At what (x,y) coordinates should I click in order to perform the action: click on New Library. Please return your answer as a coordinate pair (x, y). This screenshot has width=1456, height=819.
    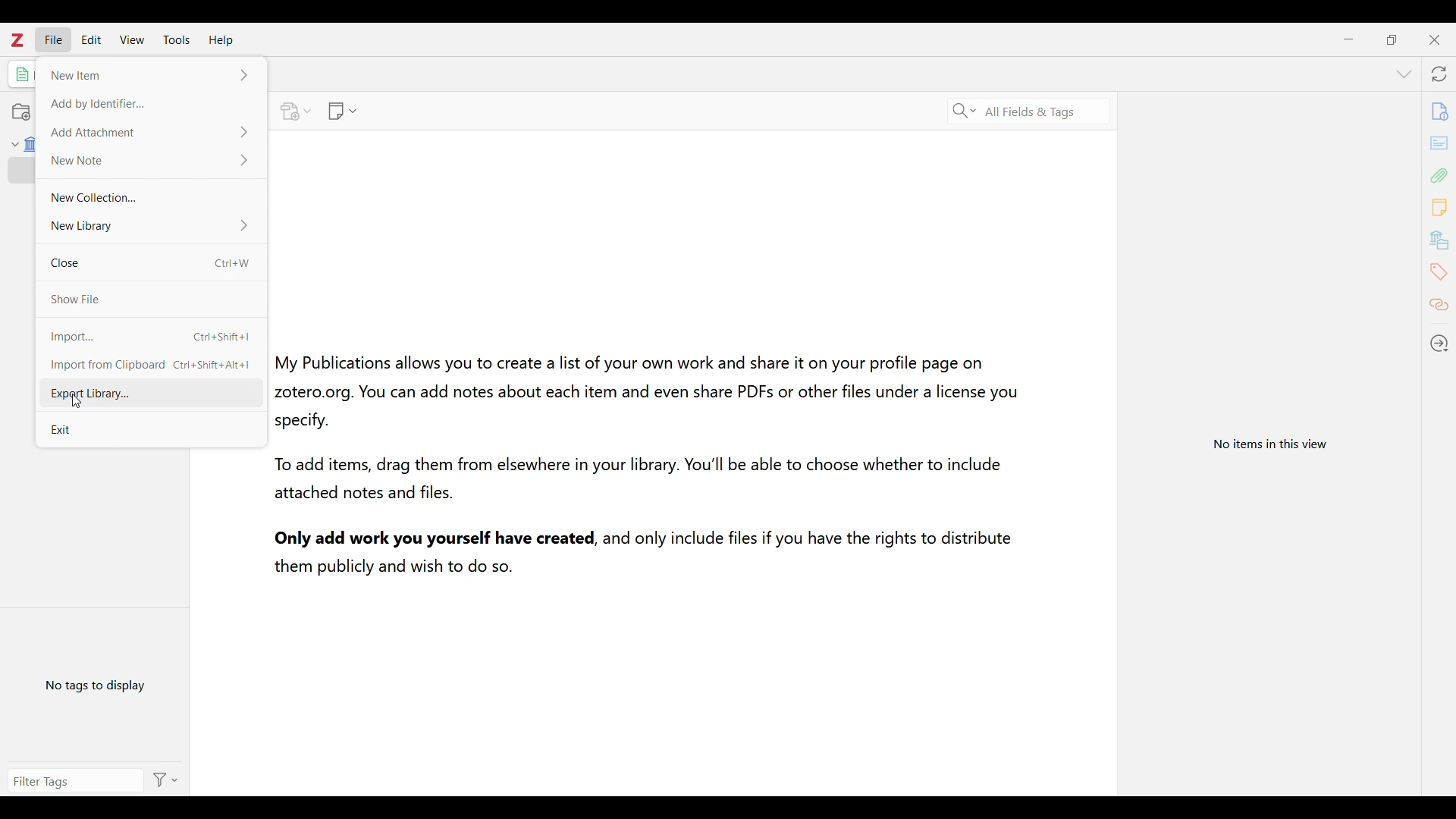
    Looking at the image, I should click on (153, 224).